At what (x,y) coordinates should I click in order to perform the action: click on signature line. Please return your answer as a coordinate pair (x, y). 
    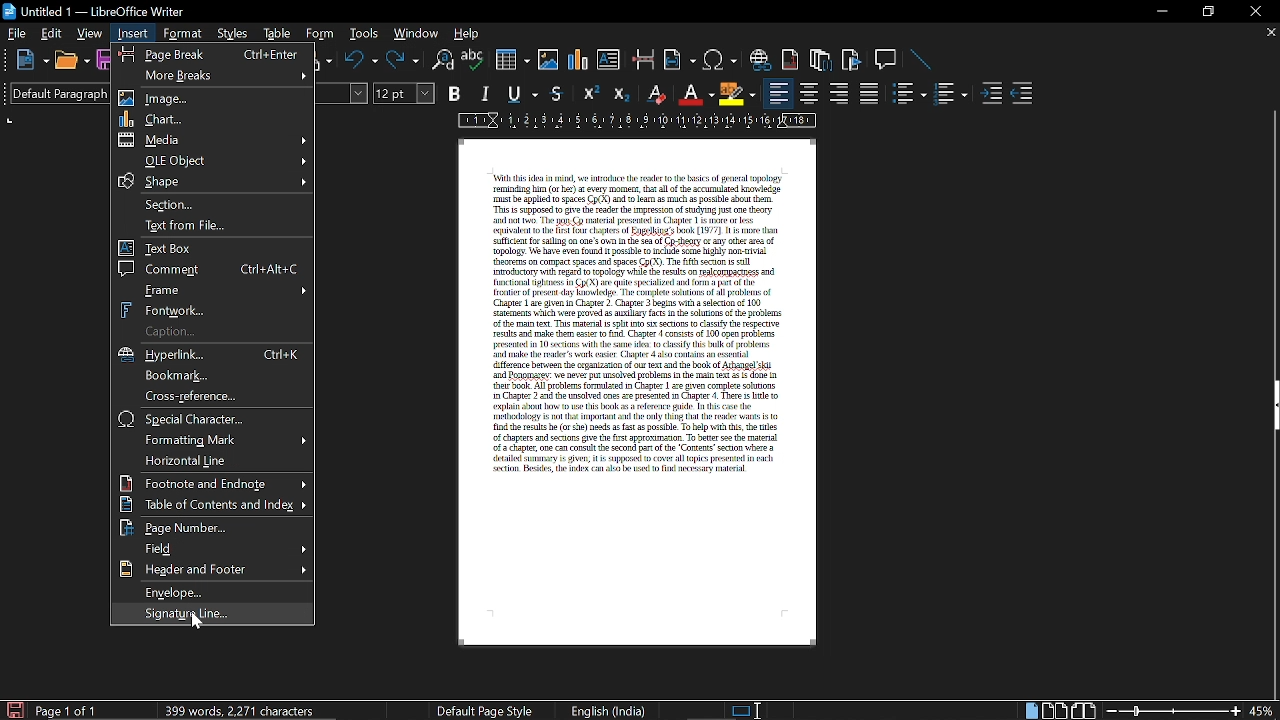
    Looking at the image, I should click on (210, 613).